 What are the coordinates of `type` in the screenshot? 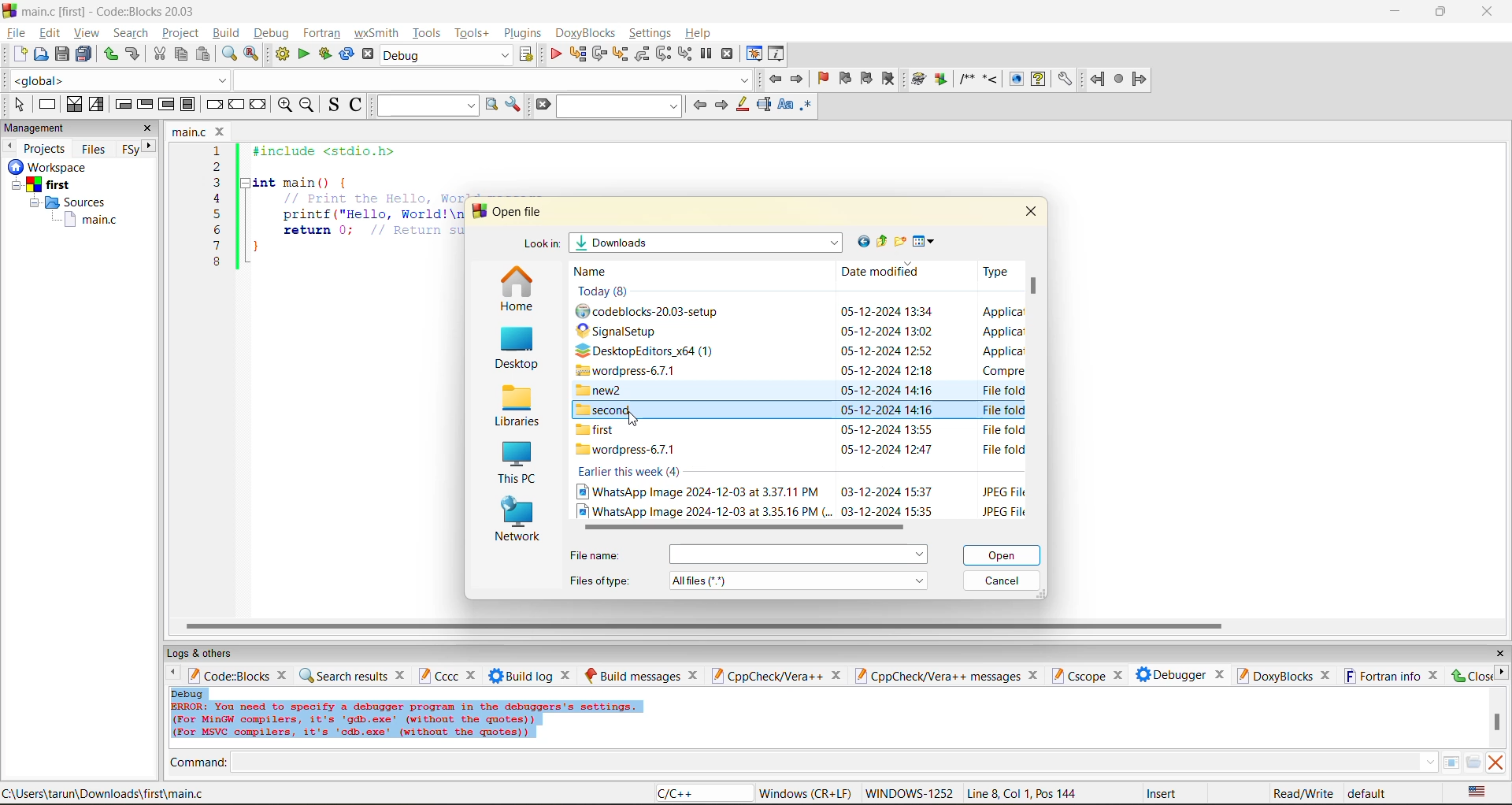 It's located at (1002, 451).